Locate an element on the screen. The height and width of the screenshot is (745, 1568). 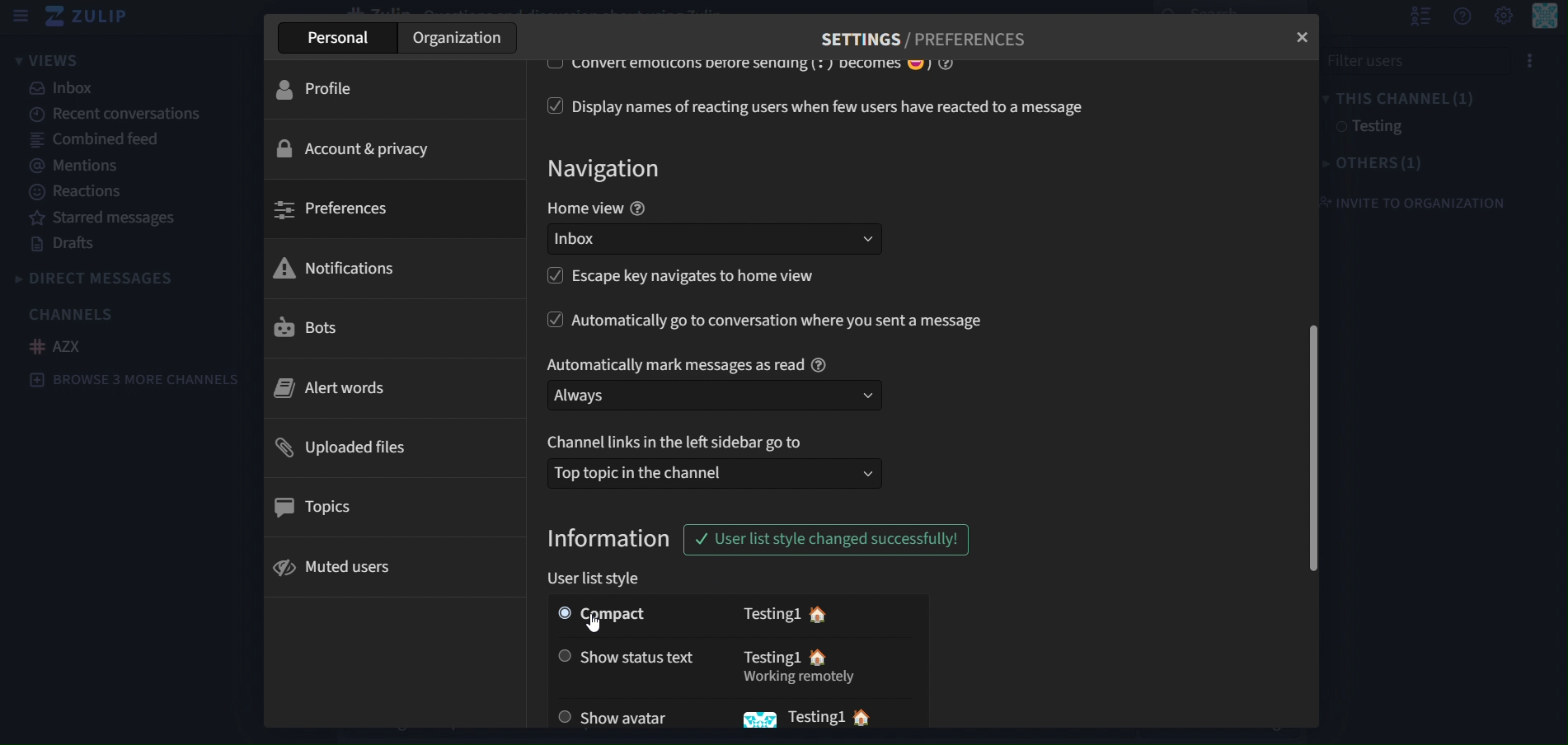
topics is located at coordinates (324, 503).